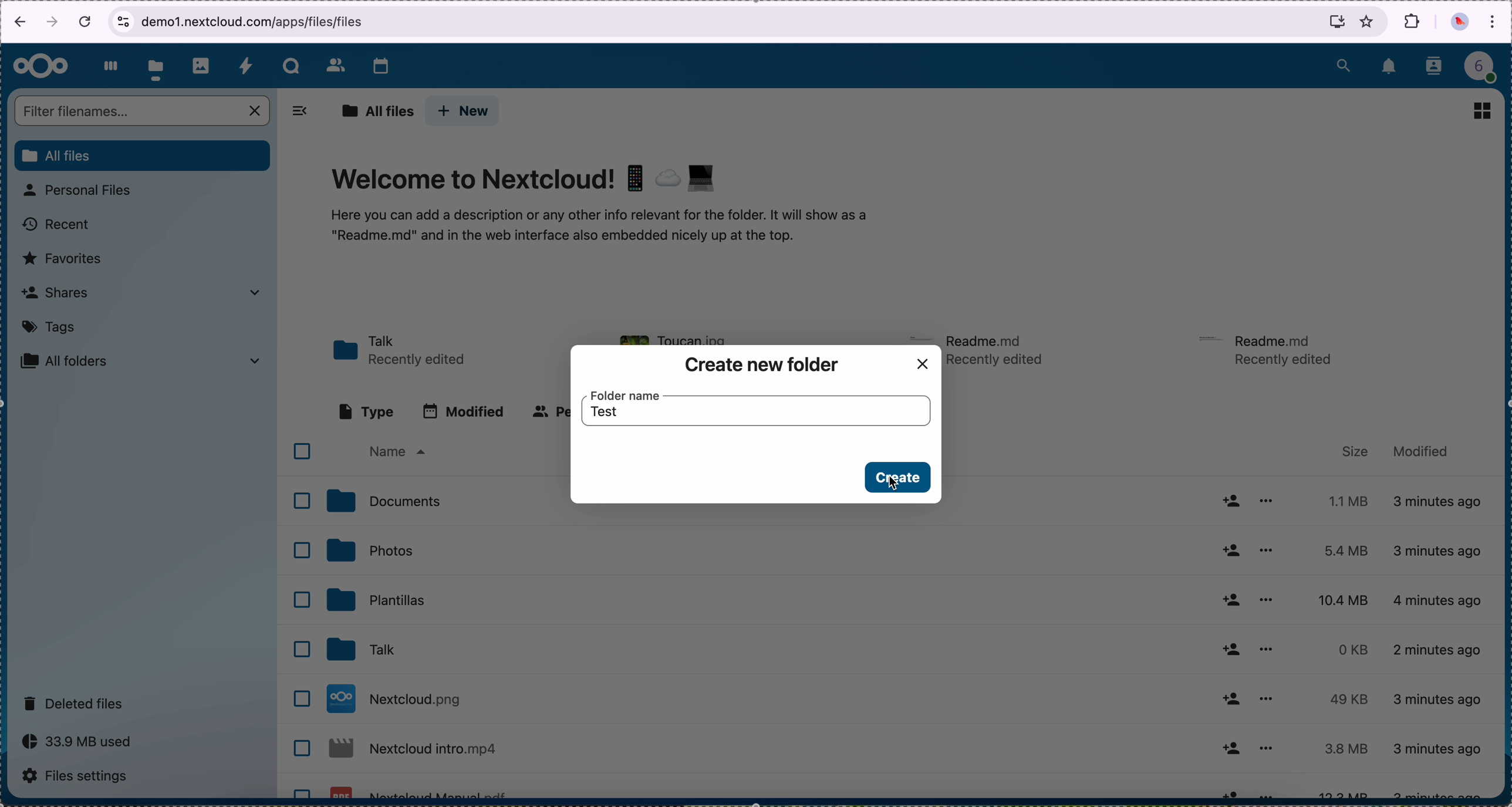 The width and height of the screenshot is (1512, 807). Describe the element at coordinates (81, 190) in the screenshot. I see `personal files` at that location.